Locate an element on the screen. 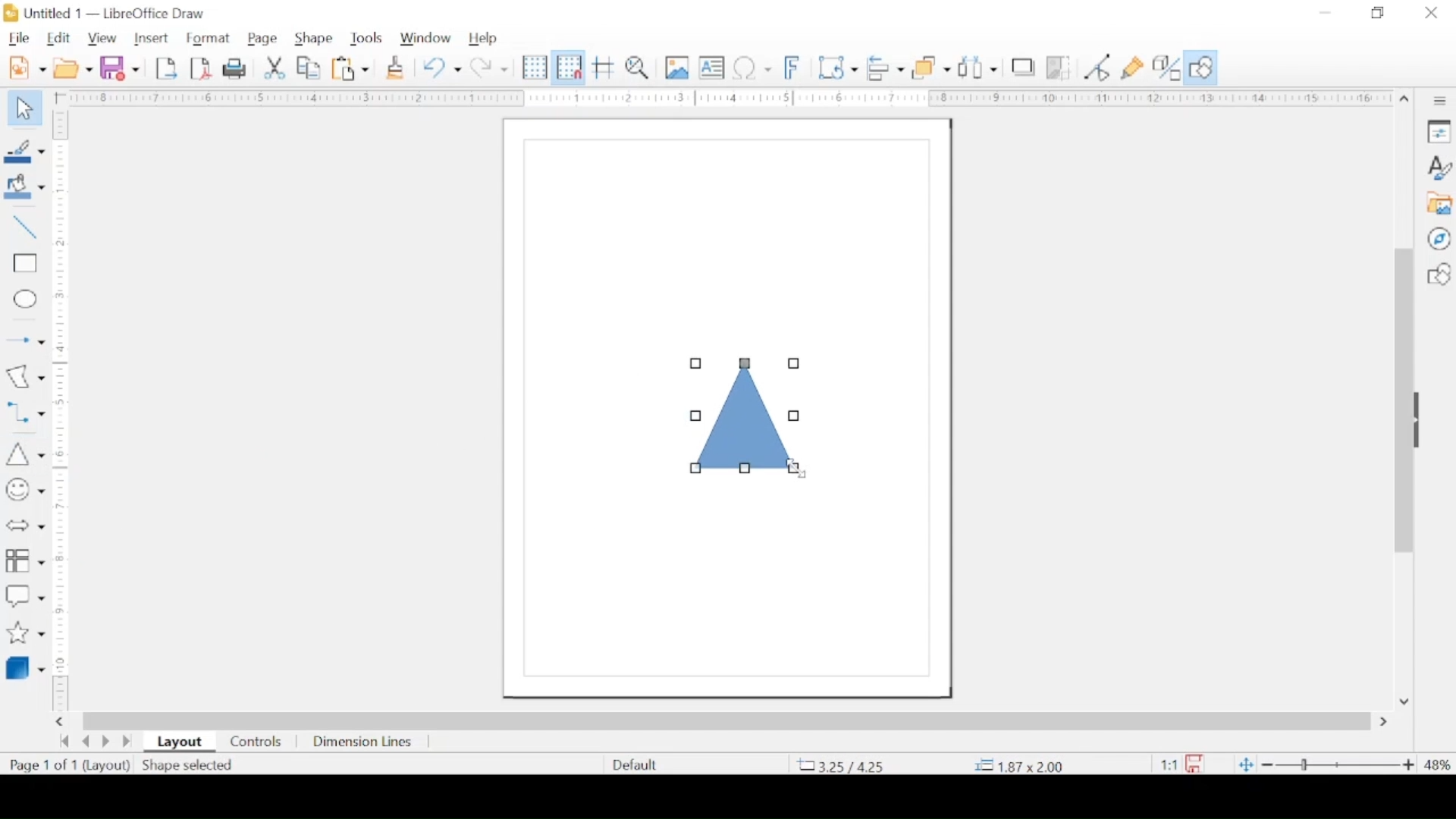 The width and height of the screenshot is (1456, 819). coordinate is located at coordinates (843, 765).